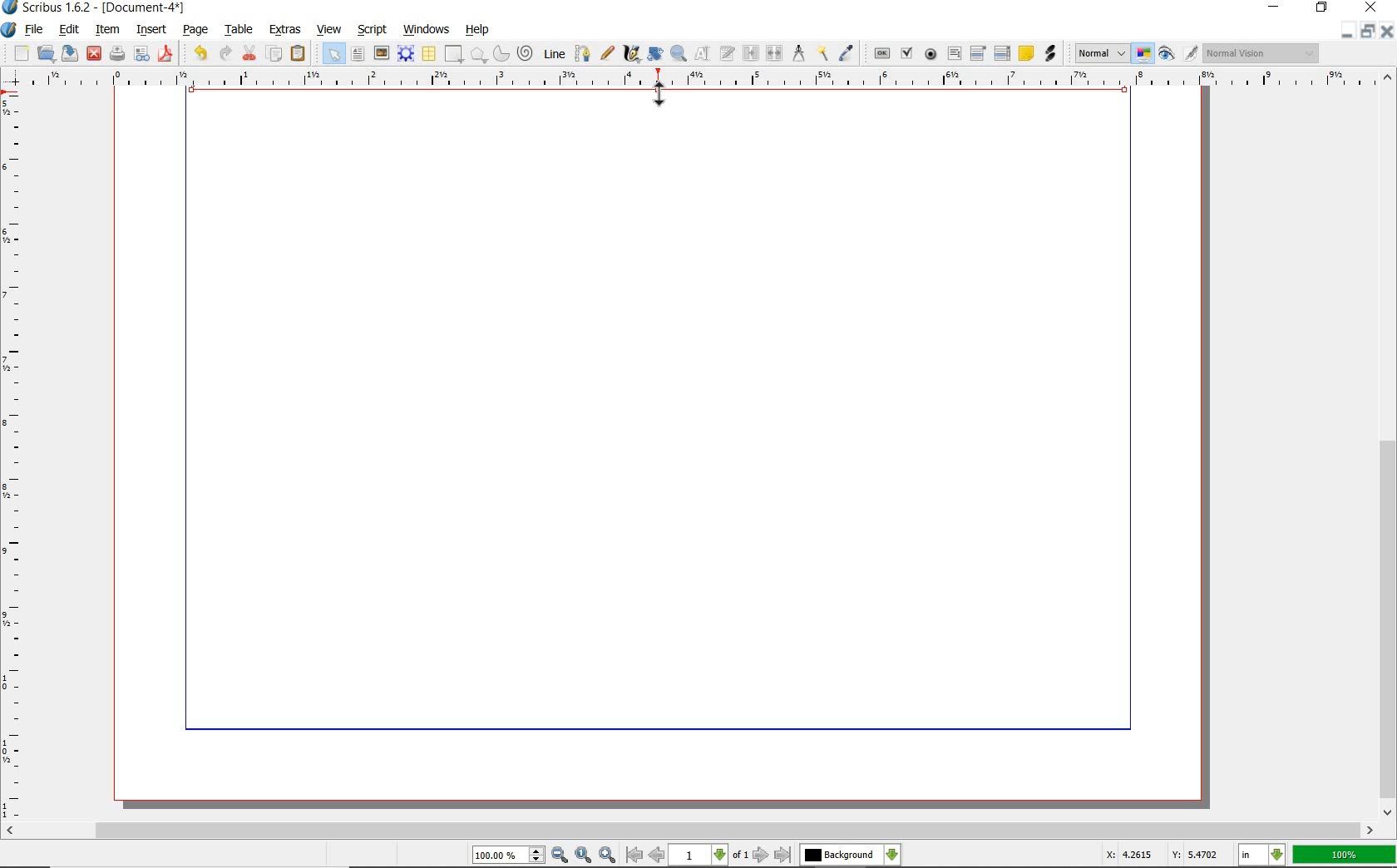 Image resolution: width=1397 pixels, height=868 pixels. Describe the element at coordinates (1344, 855) in the screenshot. I see `100%` at that location.